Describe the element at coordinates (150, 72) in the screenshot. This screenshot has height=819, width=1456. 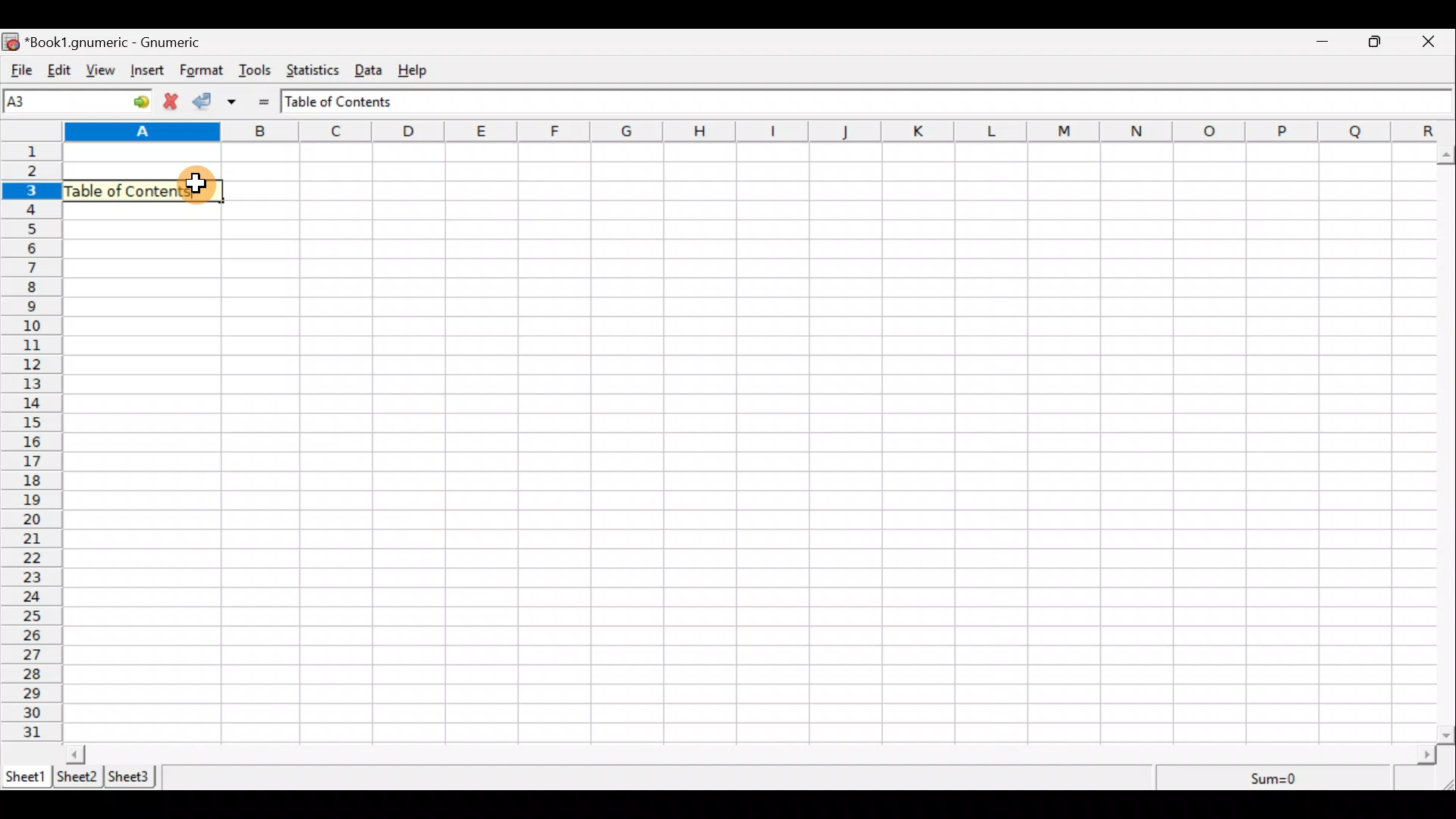
I see `Insert` at that location.